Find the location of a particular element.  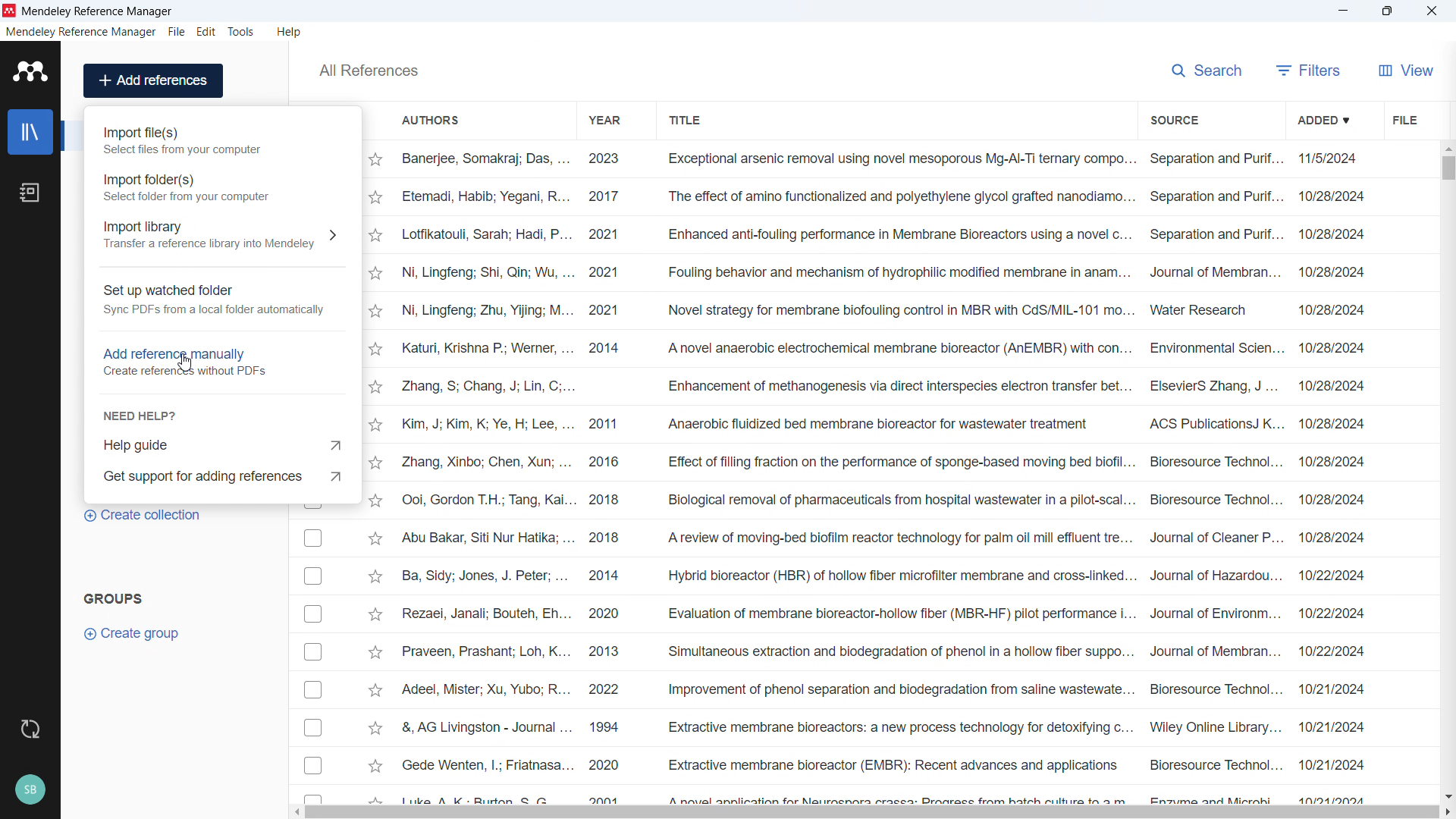

Get support for adding references  is located at coordinates (223, 475).